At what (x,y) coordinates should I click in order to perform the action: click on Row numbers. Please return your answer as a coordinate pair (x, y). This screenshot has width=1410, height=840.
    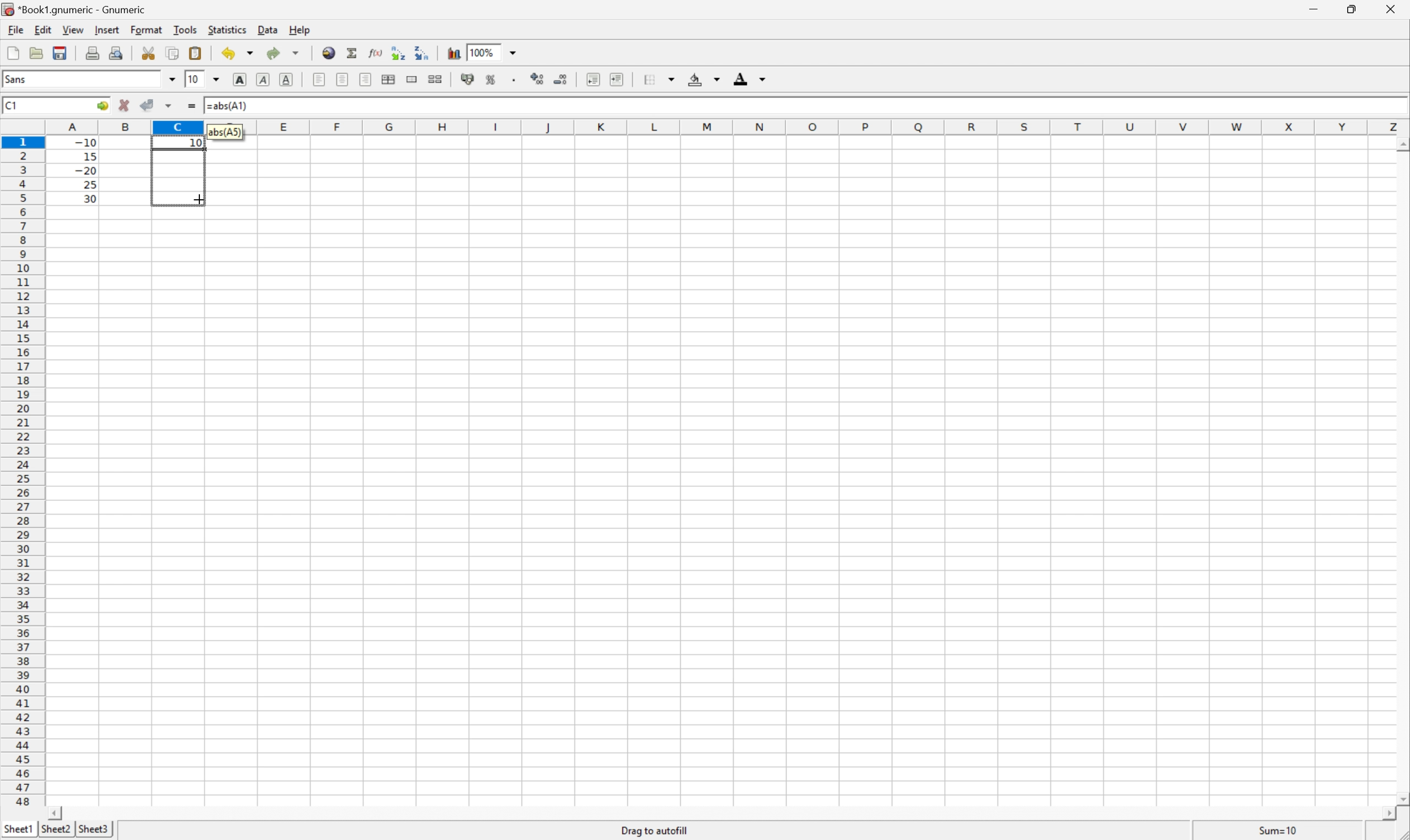
    Looking at the image, I should click on (23, 474).